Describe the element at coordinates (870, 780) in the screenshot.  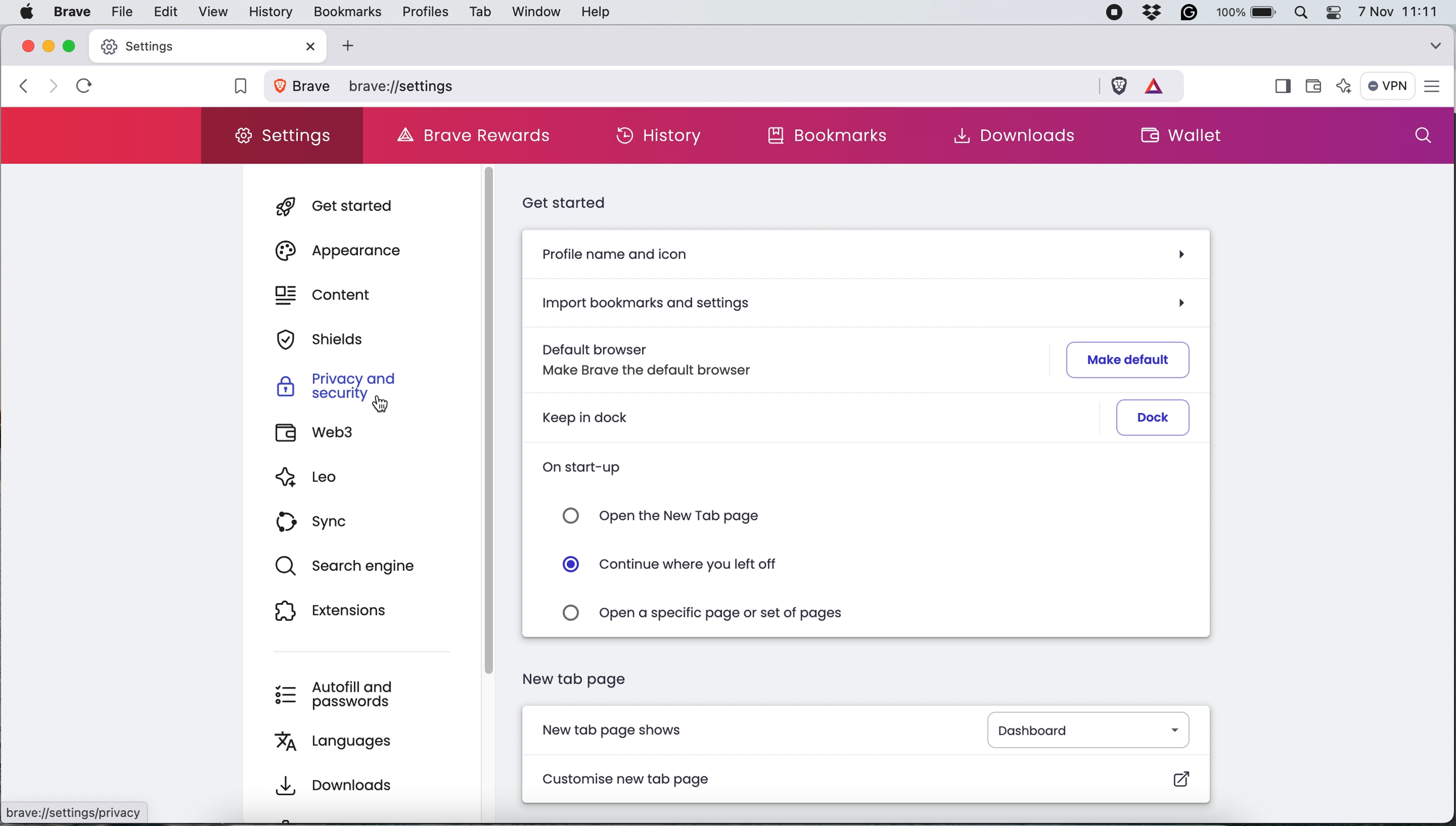
I see `customise new tab page` at that location.